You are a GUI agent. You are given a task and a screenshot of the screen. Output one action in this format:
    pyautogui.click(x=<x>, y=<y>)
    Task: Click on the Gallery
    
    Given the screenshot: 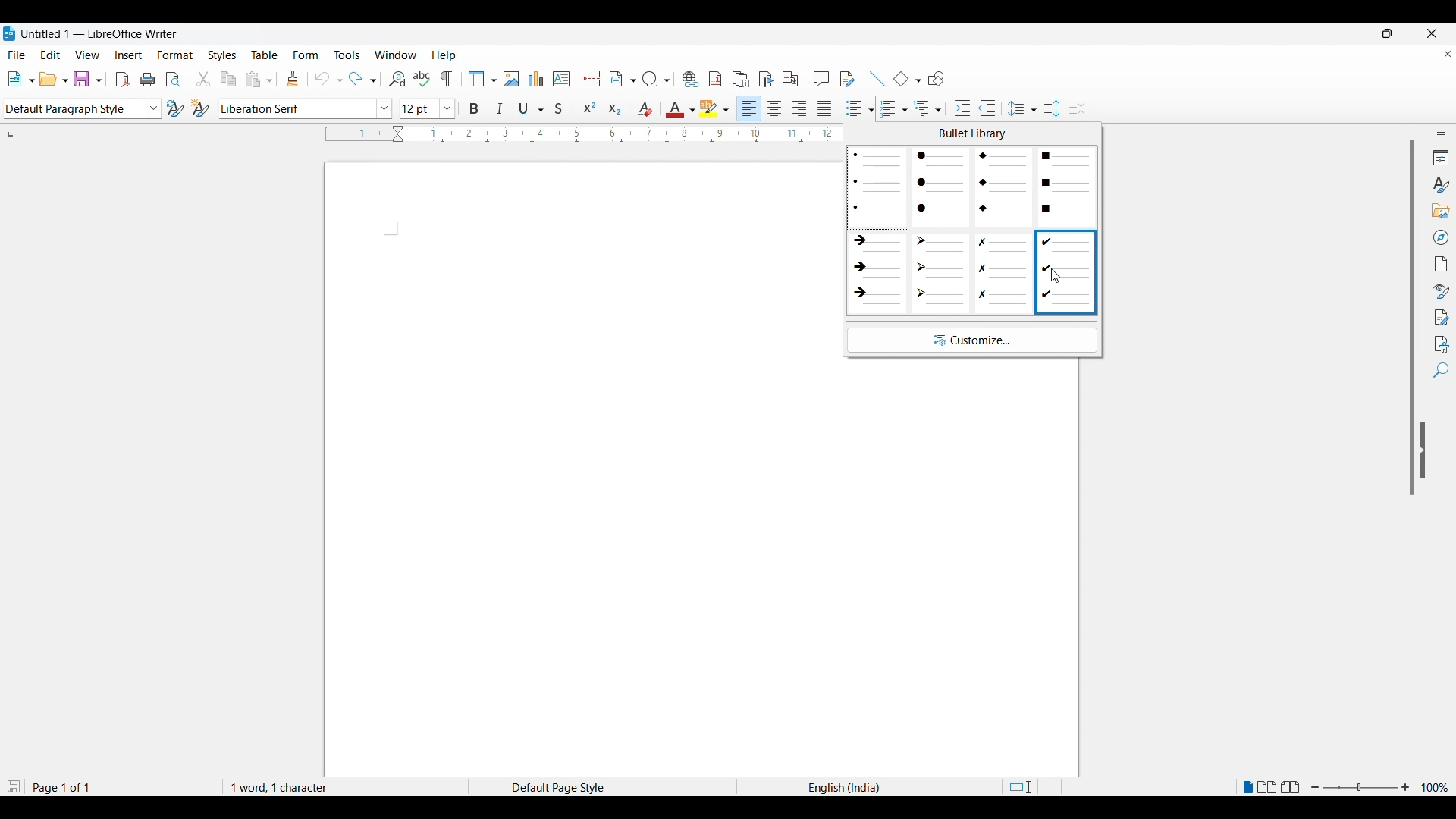 What is the action you would take?
    pyautogui.click(x=1442, y=210)
    